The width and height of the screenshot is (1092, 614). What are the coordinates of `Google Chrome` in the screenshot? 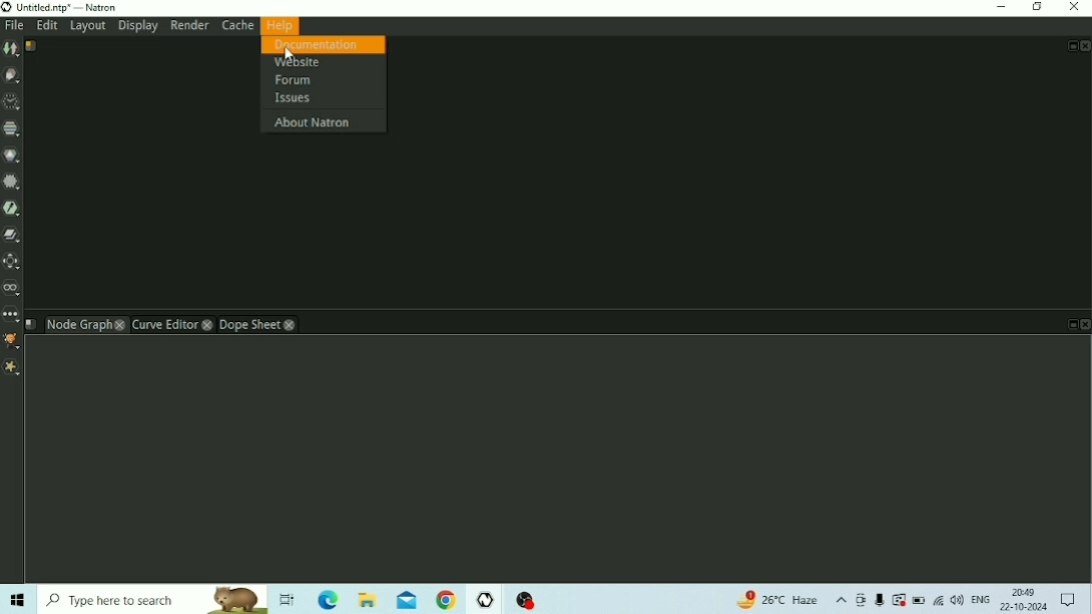 It's located at (446, 600).